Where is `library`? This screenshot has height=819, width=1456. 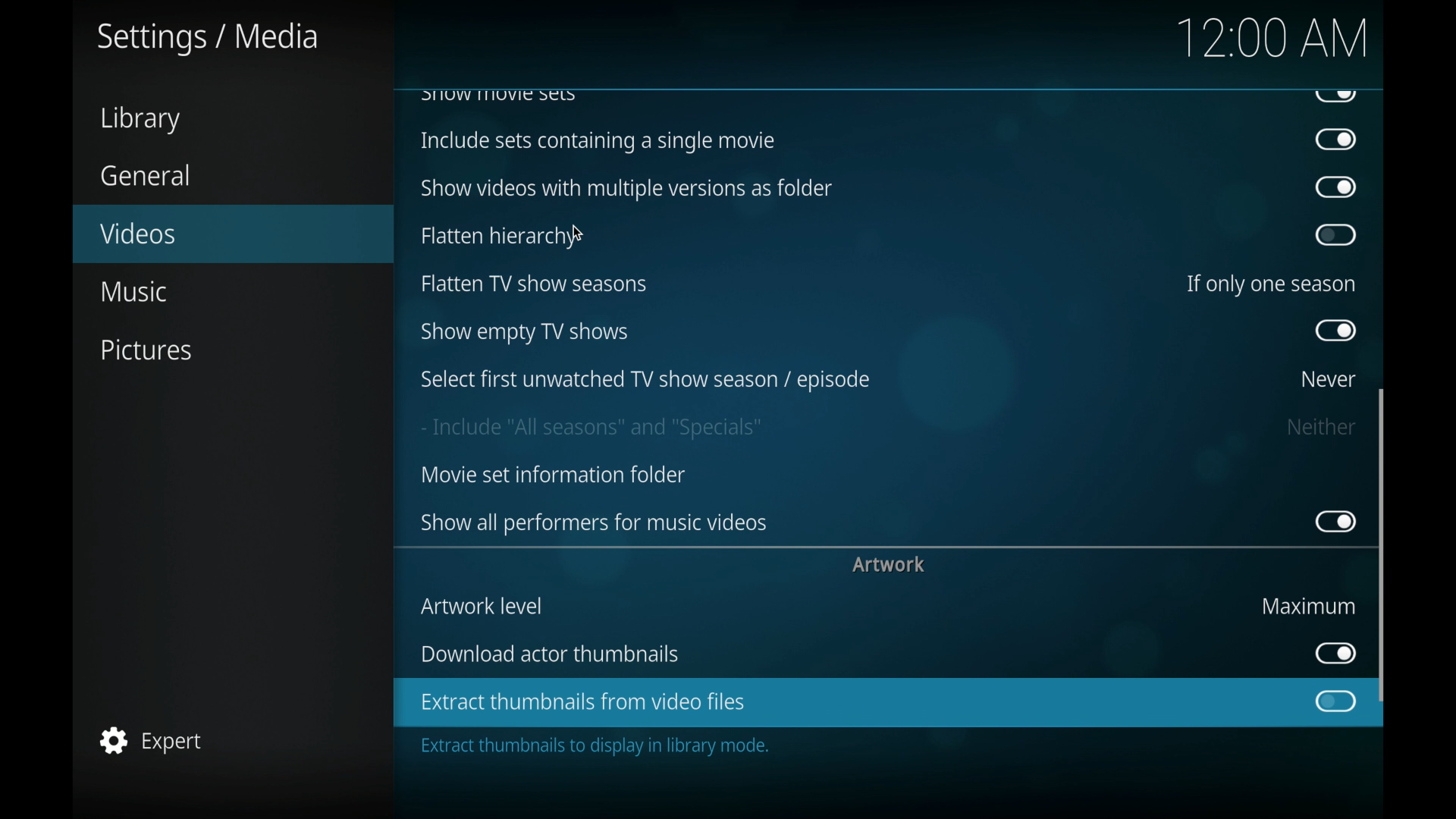 library is located at coordinates (140, 120).